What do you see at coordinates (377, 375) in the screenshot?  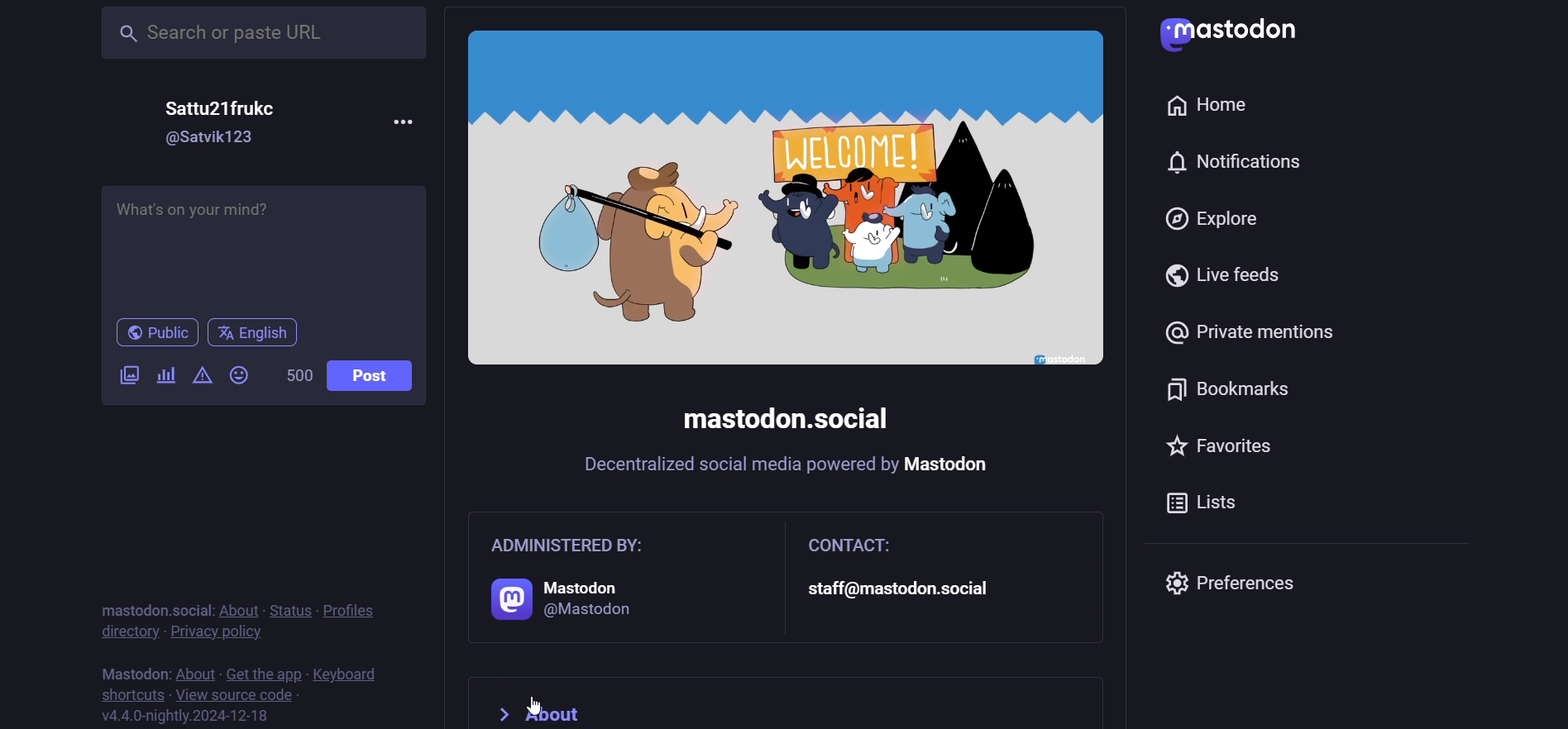 I see `post` at bounding box center [377, 375].